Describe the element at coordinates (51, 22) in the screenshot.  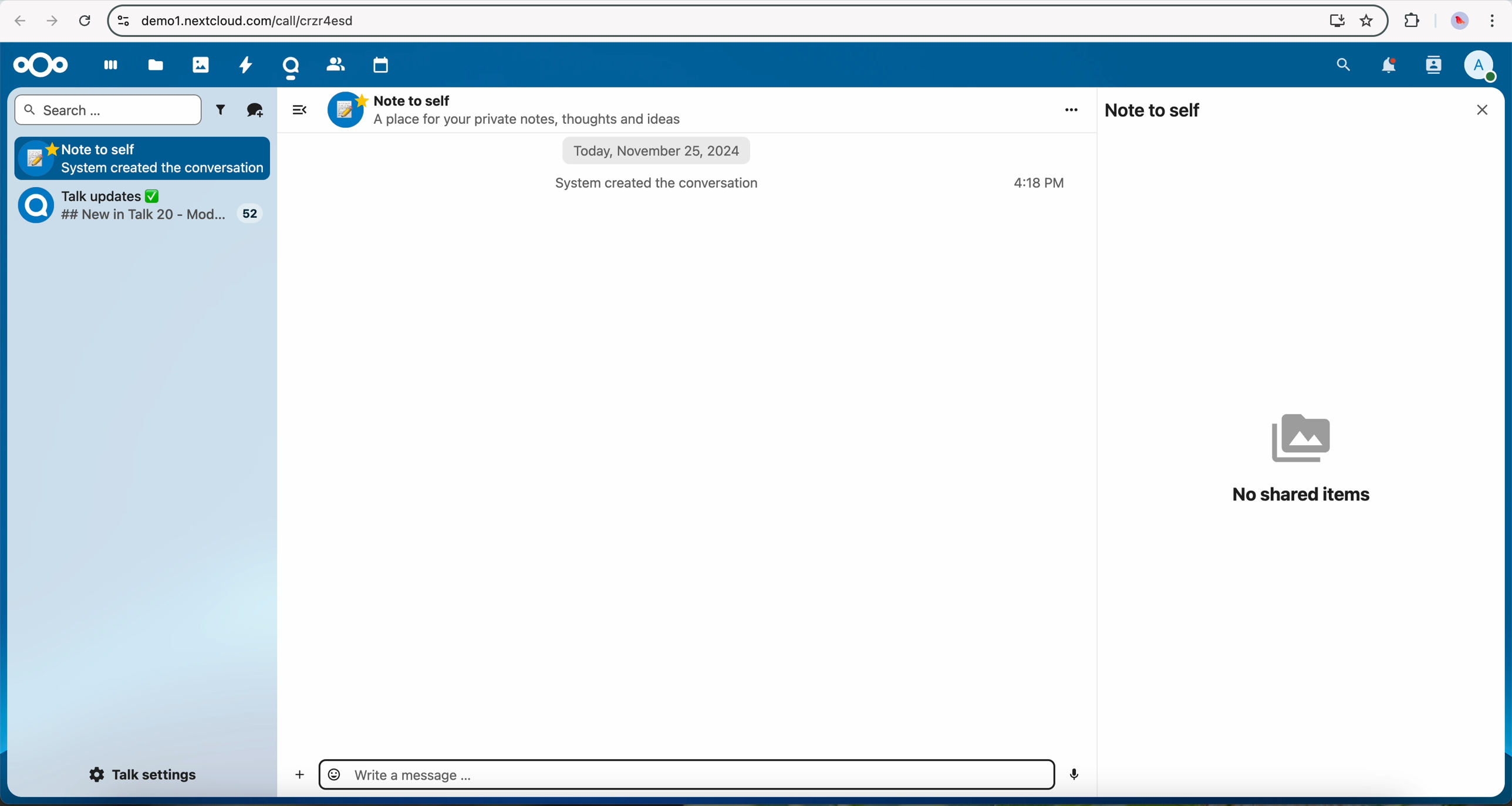
I see `navigate foward` at that location.